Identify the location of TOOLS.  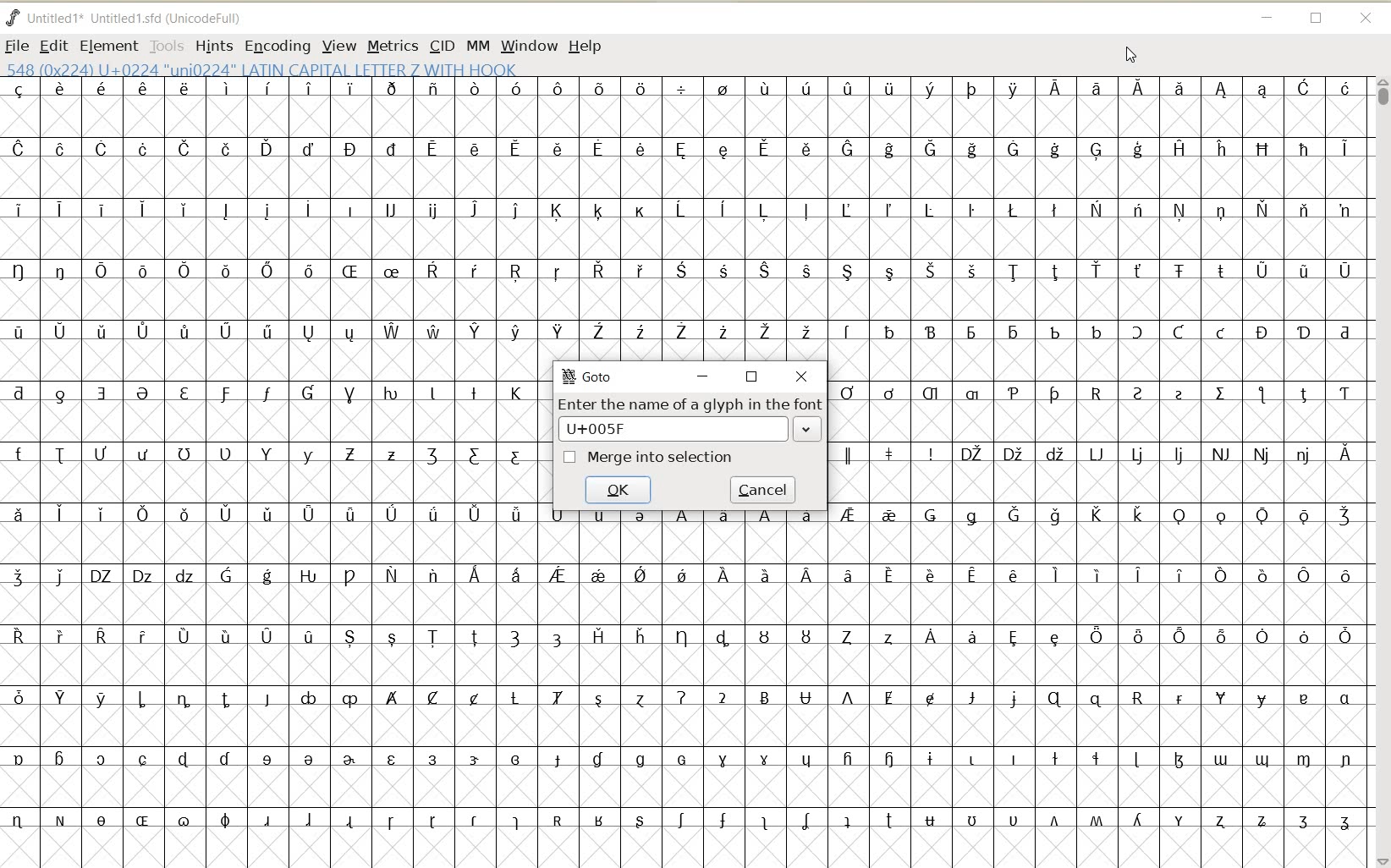
(165, 45).